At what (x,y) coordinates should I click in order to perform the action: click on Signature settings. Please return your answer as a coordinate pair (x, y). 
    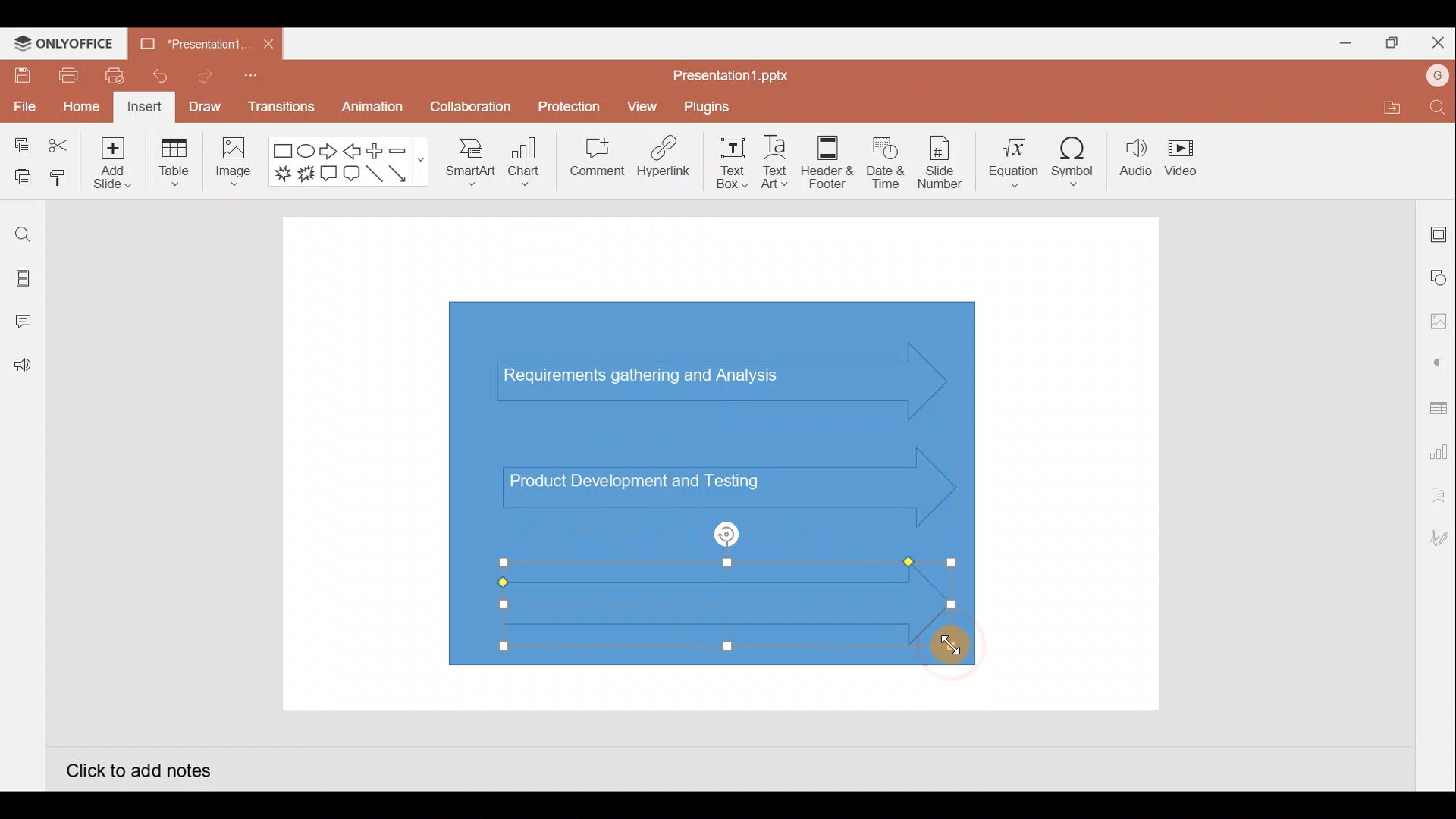
    Looking at the image, I should click on (1436, 540).